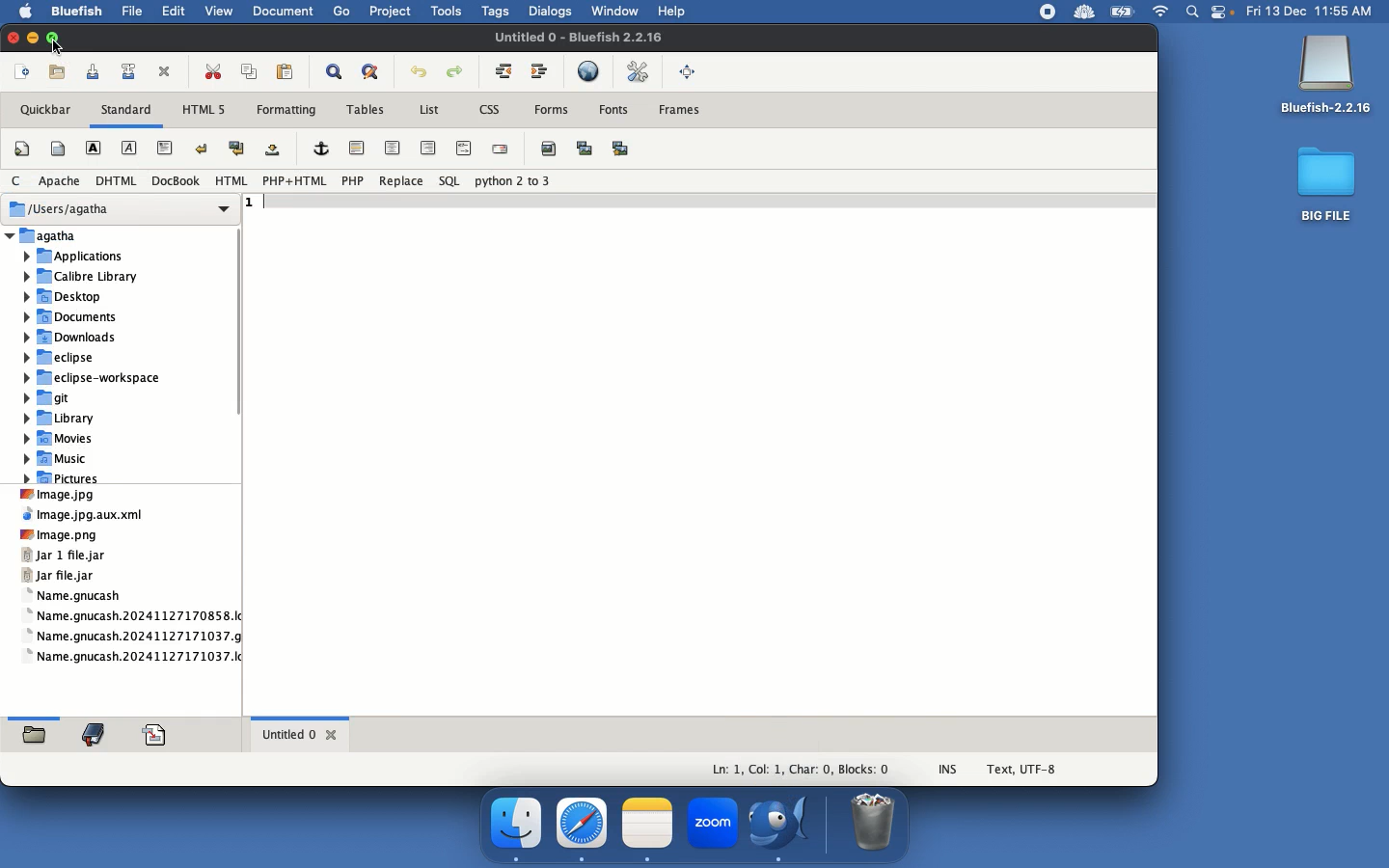 Image resolution: width=1389 pixels, height=868 pixels. What do you see at coordinates (72, 337) in the screenshot?
I see `downloads` at bounding box center [72, 337].